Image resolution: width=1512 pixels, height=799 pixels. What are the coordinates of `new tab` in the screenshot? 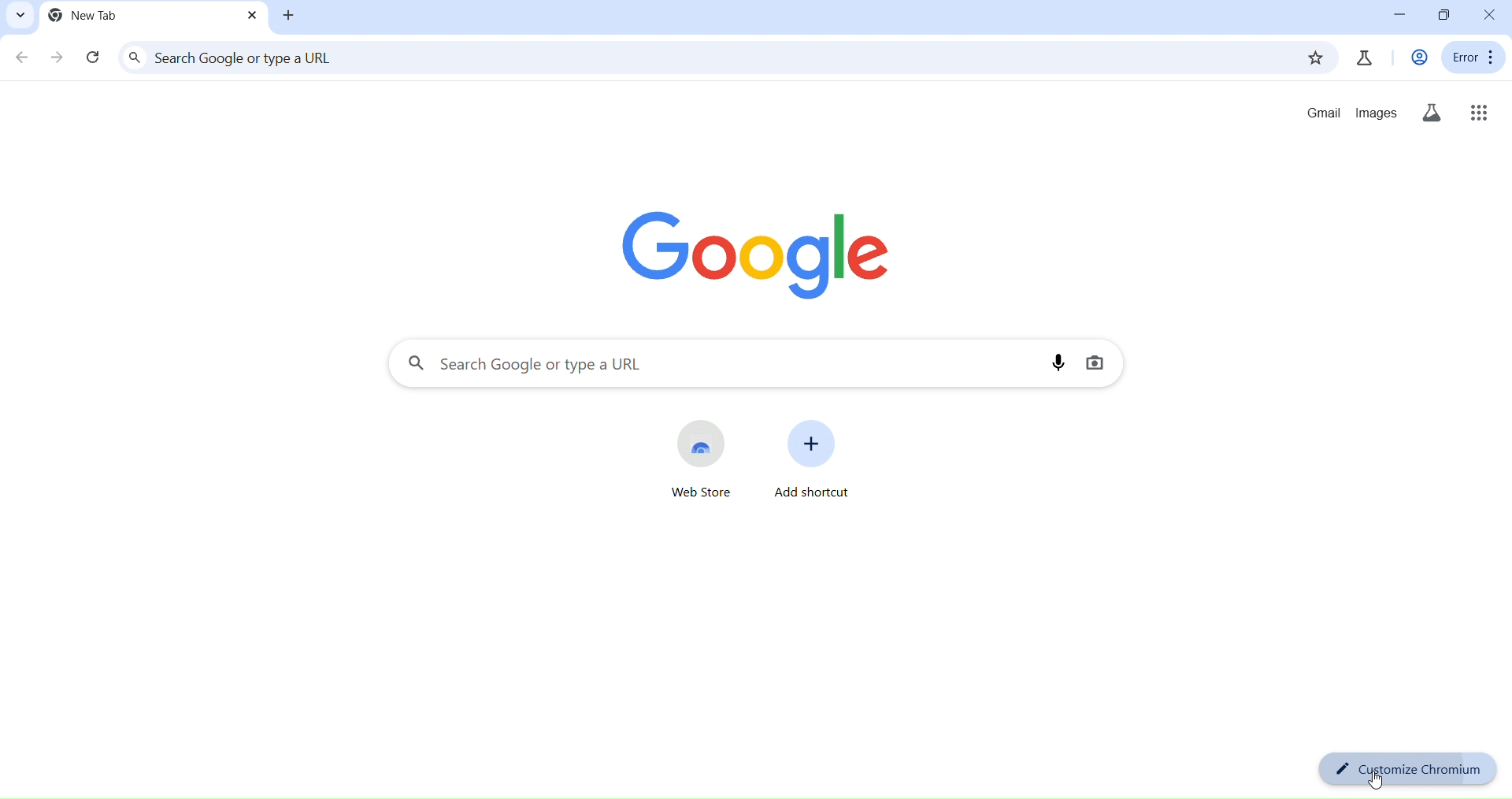 It's located at (289, 15).